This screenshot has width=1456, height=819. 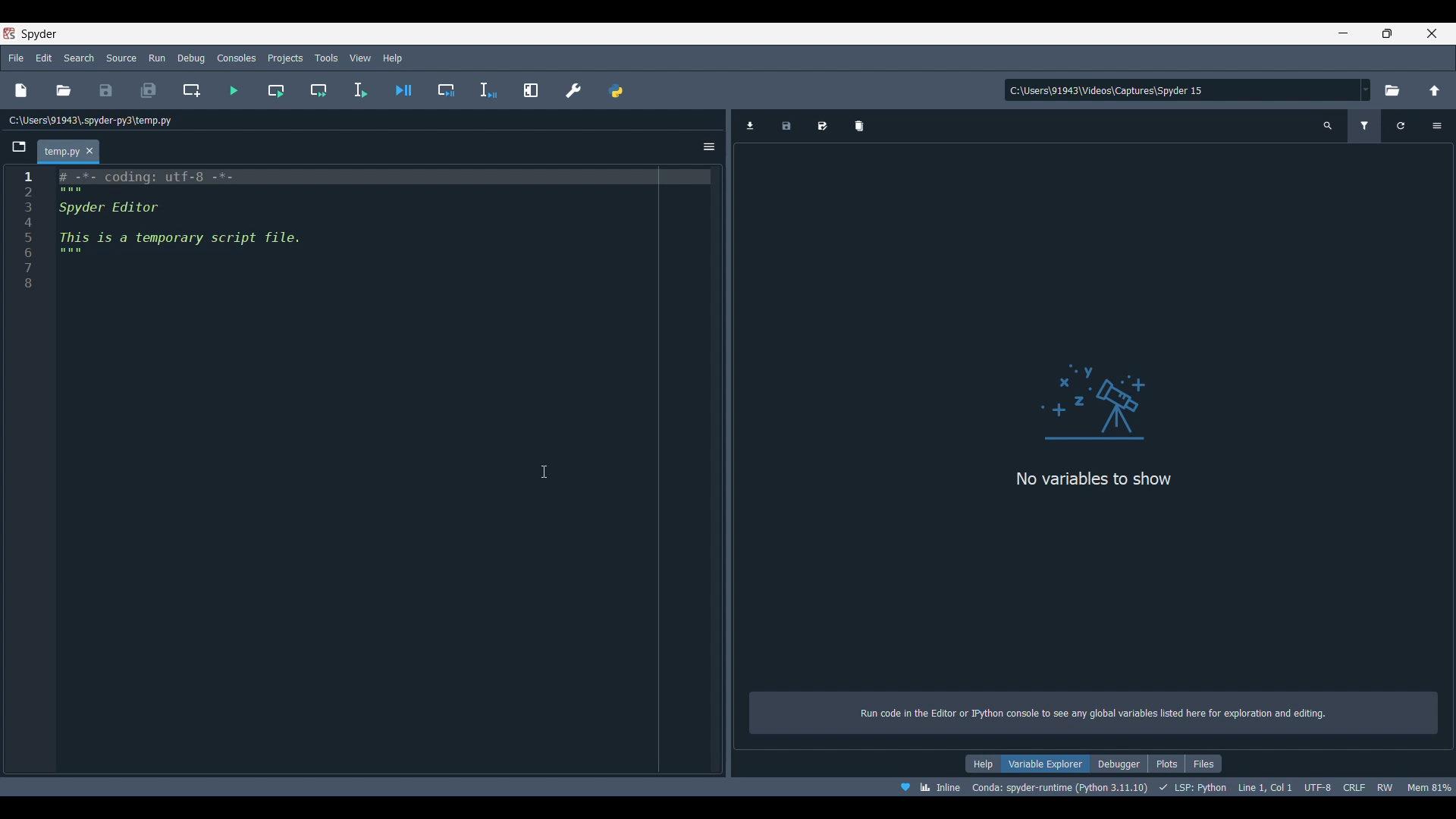 I want to click on Help menu, so click(x=392, y=58).